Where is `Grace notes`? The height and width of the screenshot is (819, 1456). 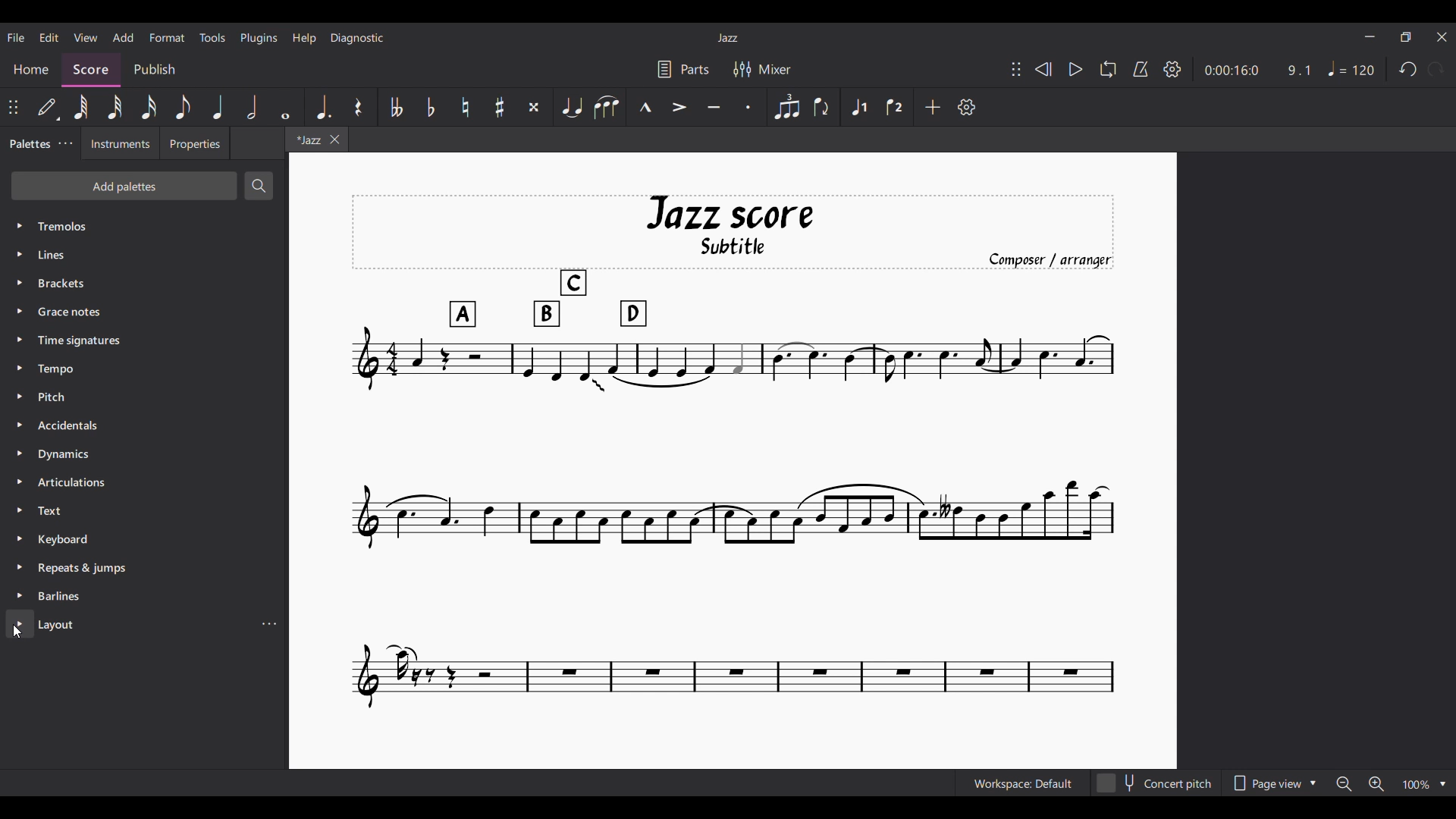
Grace notes is located at coordinates (144, 312).